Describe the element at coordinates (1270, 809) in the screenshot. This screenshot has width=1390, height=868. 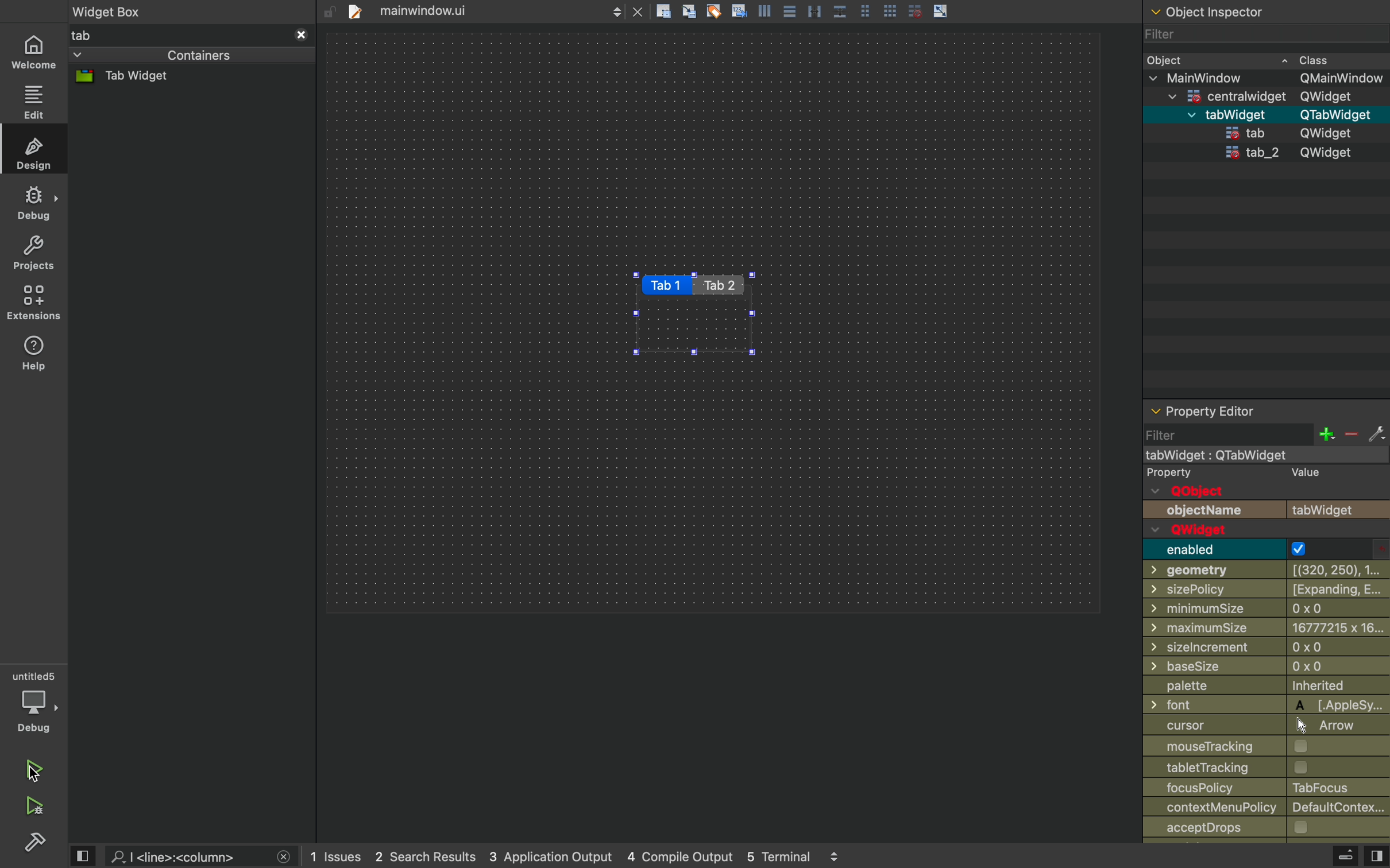
I see `contextmenupolicy` at that location.